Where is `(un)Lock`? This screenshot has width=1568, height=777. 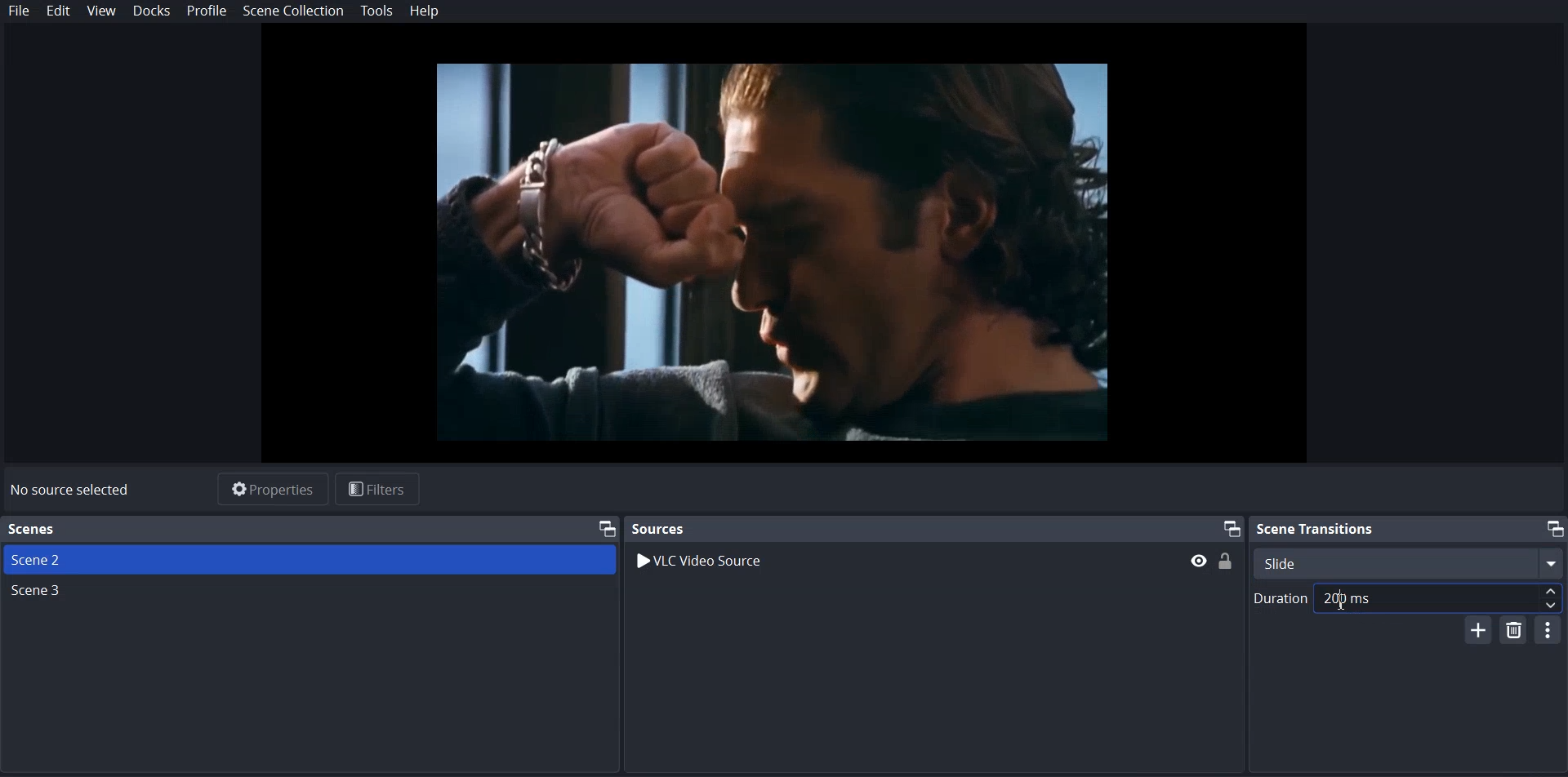 (un)Lock is located at coordinates (1227, 560).